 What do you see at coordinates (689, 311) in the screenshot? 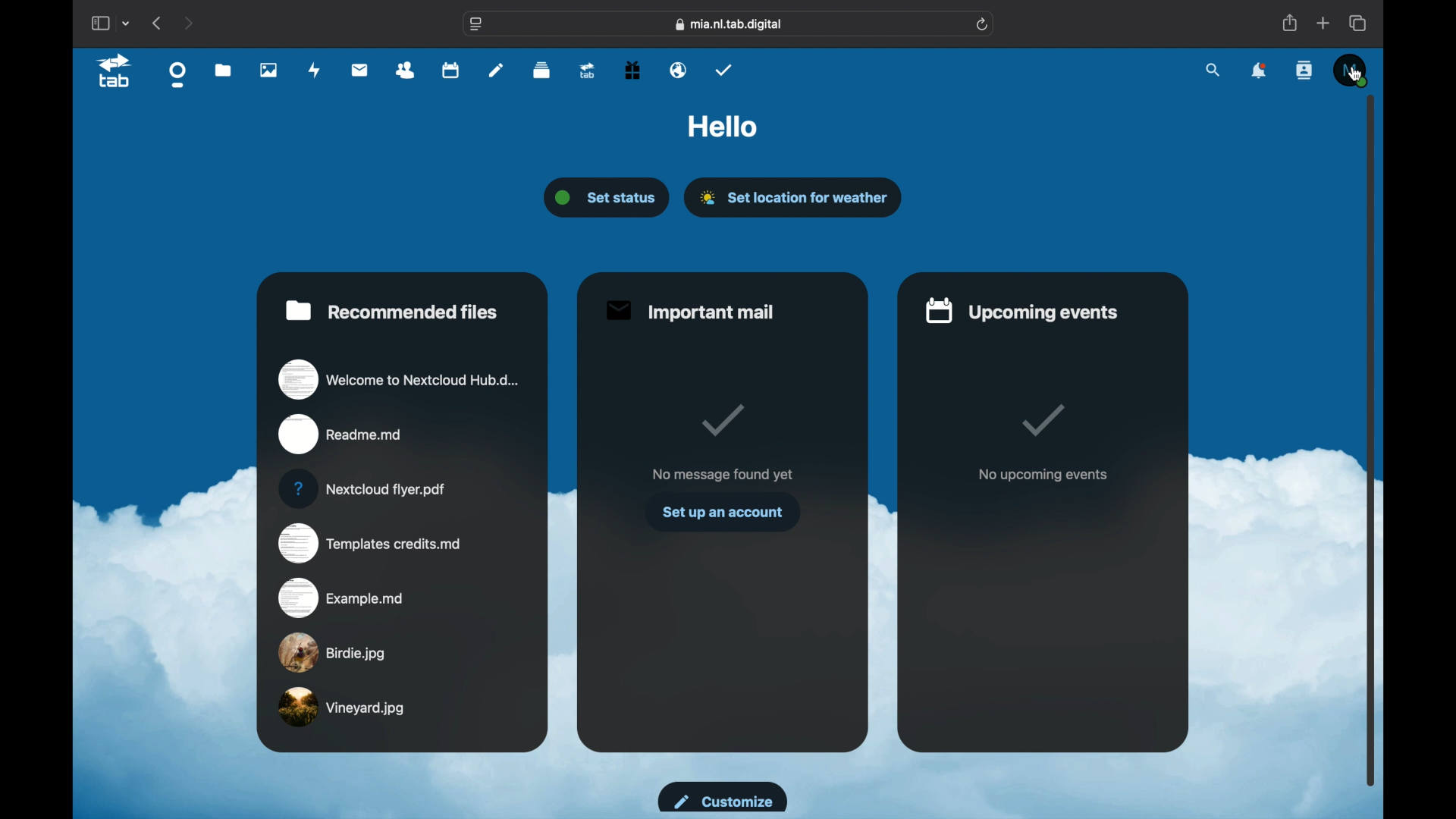
I see `important mail` at bounding box center [689, 311].